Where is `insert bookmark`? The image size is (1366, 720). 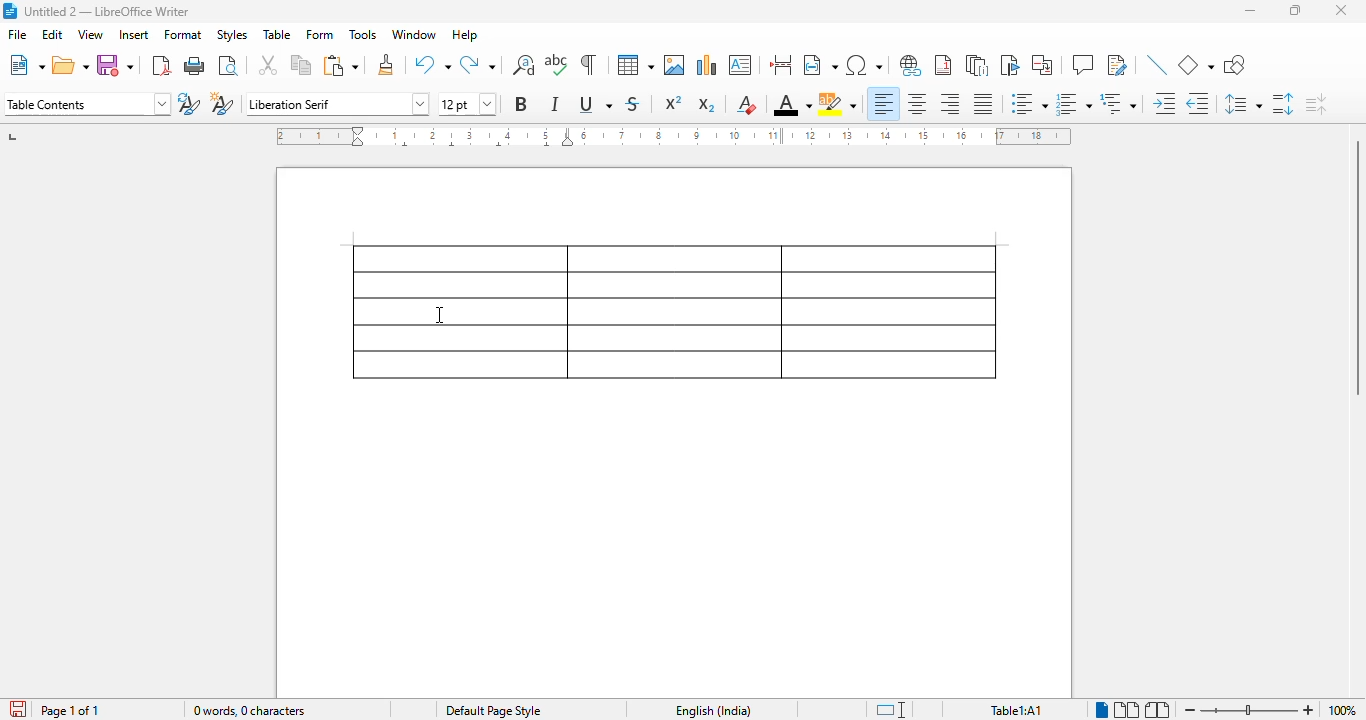 insert bookmark is located at coordinates (1008, 65).